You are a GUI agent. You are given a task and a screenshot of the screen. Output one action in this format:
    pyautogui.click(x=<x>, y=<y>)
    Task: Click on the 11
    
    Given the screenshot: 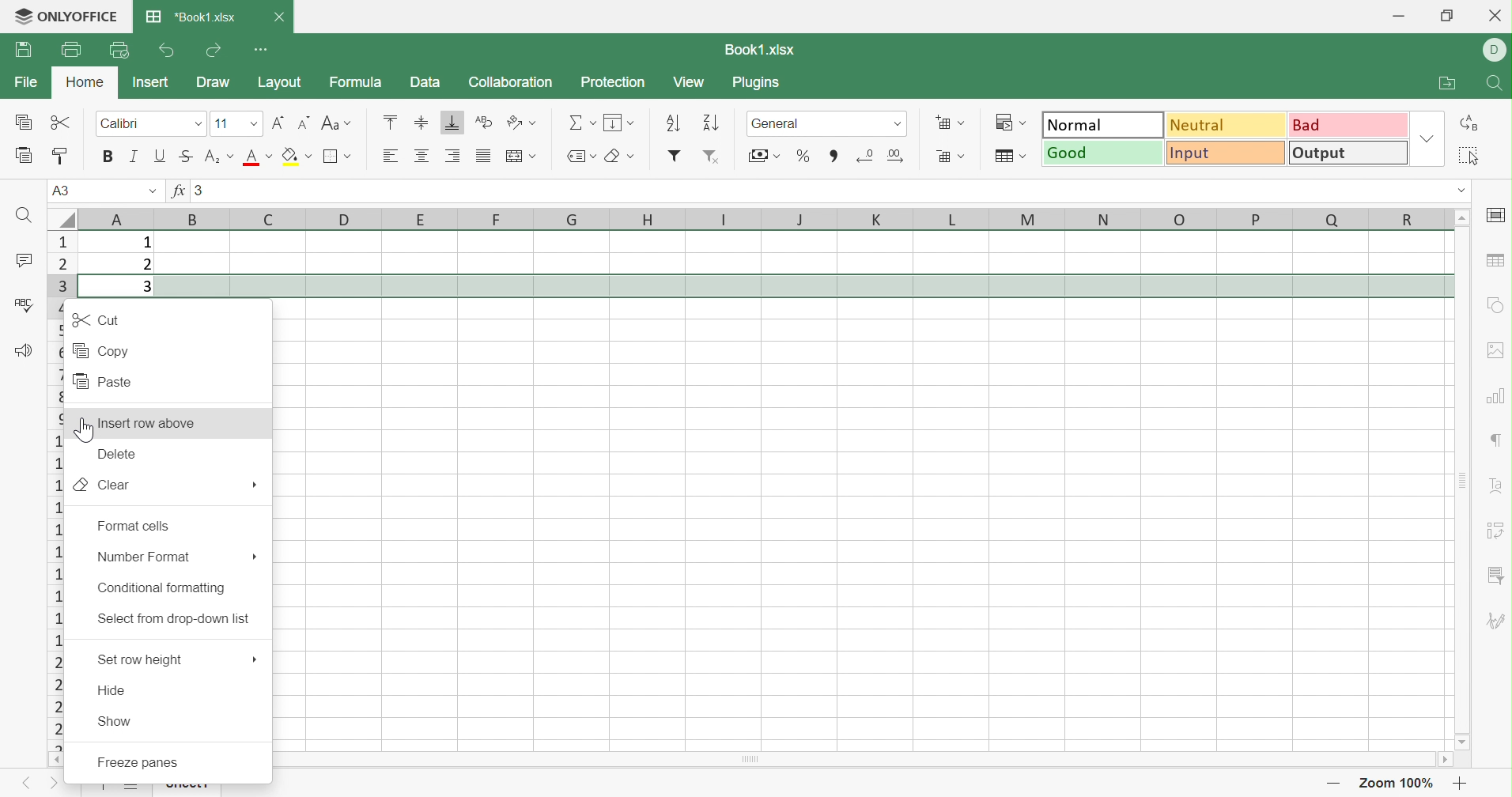 What is the action you would take?
    pyautogui.click(x=221, y=123)
    